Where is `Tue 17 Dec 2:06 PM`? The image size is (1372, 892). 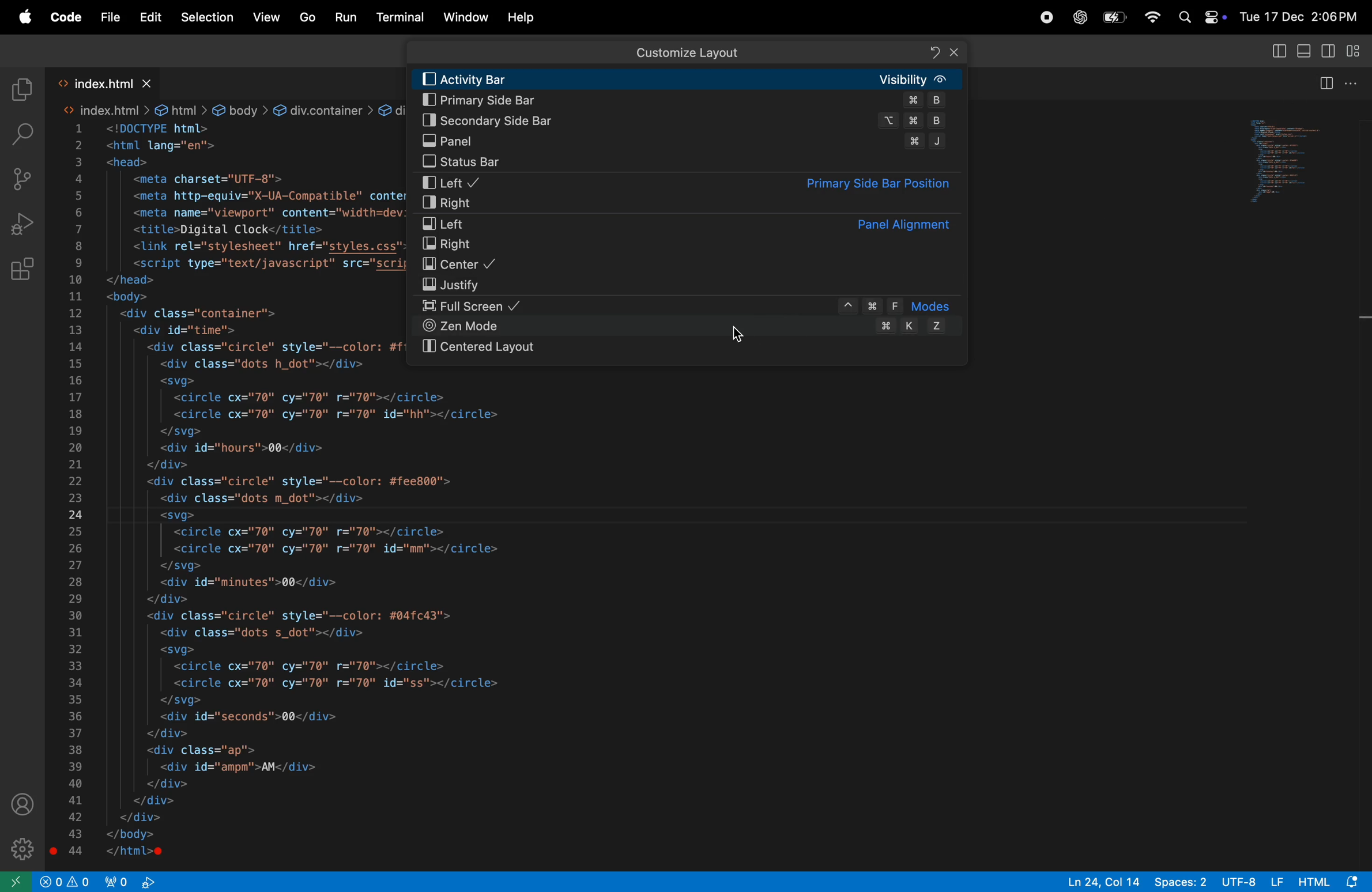
Tue 17 Dec 2:06 PM is located at coordinates (1299, 16).